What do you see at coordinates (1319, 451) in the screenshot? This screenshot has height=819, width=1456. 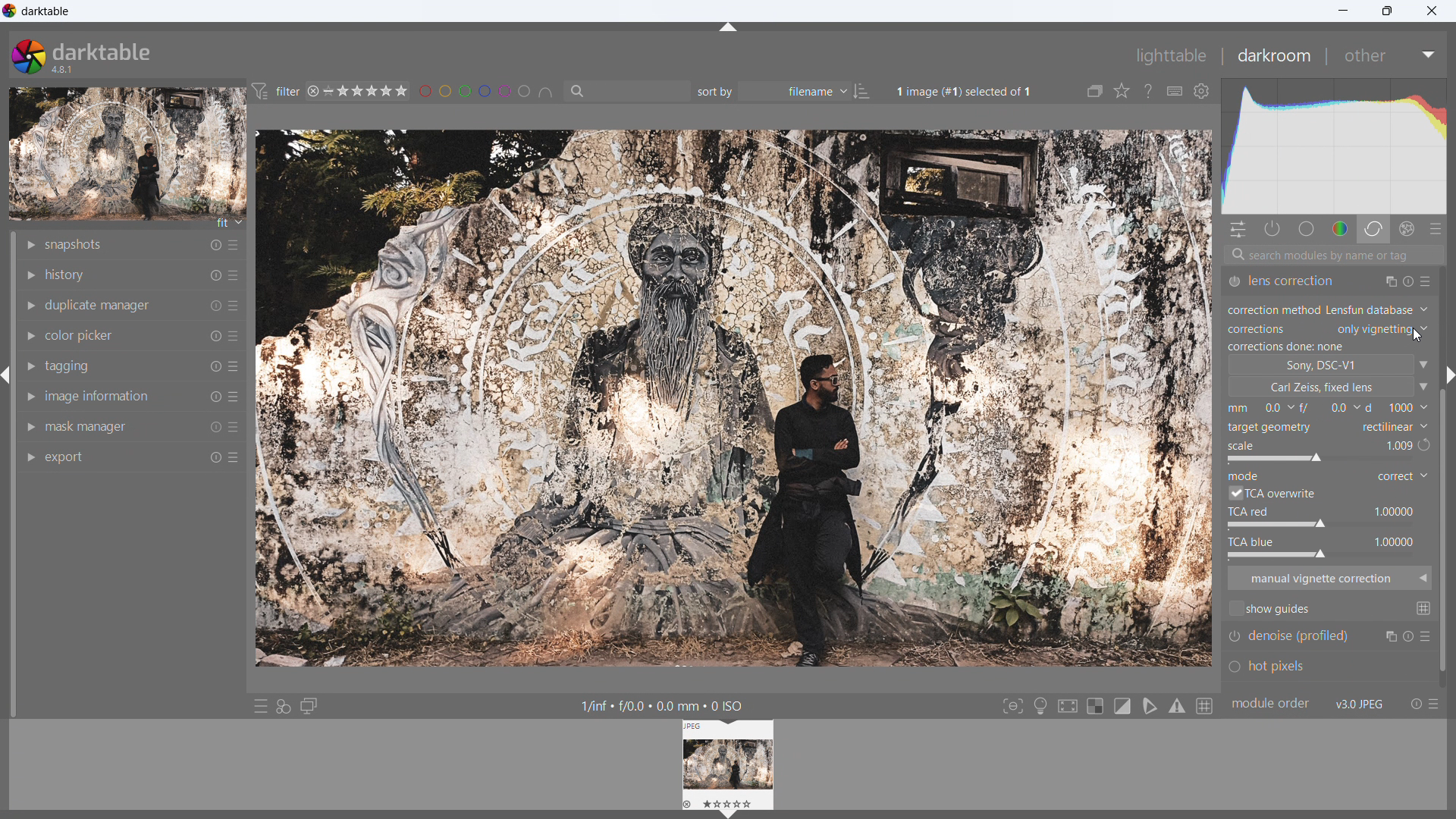 I see `scale` at bounding box center [1319, 451].